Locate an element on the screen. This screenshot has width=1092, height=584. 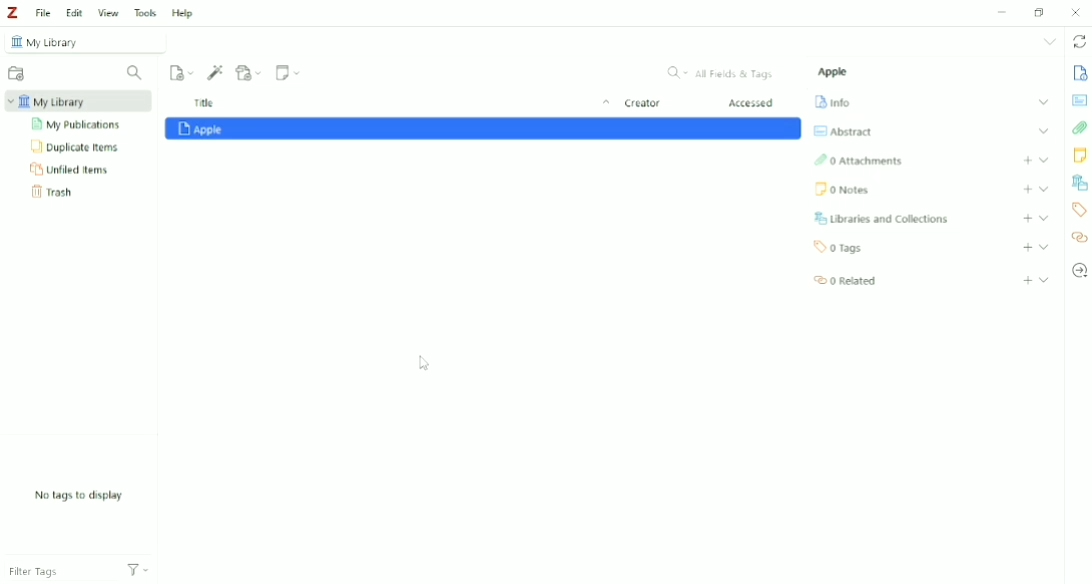
Expand section is located at coordinates (1044, 218).